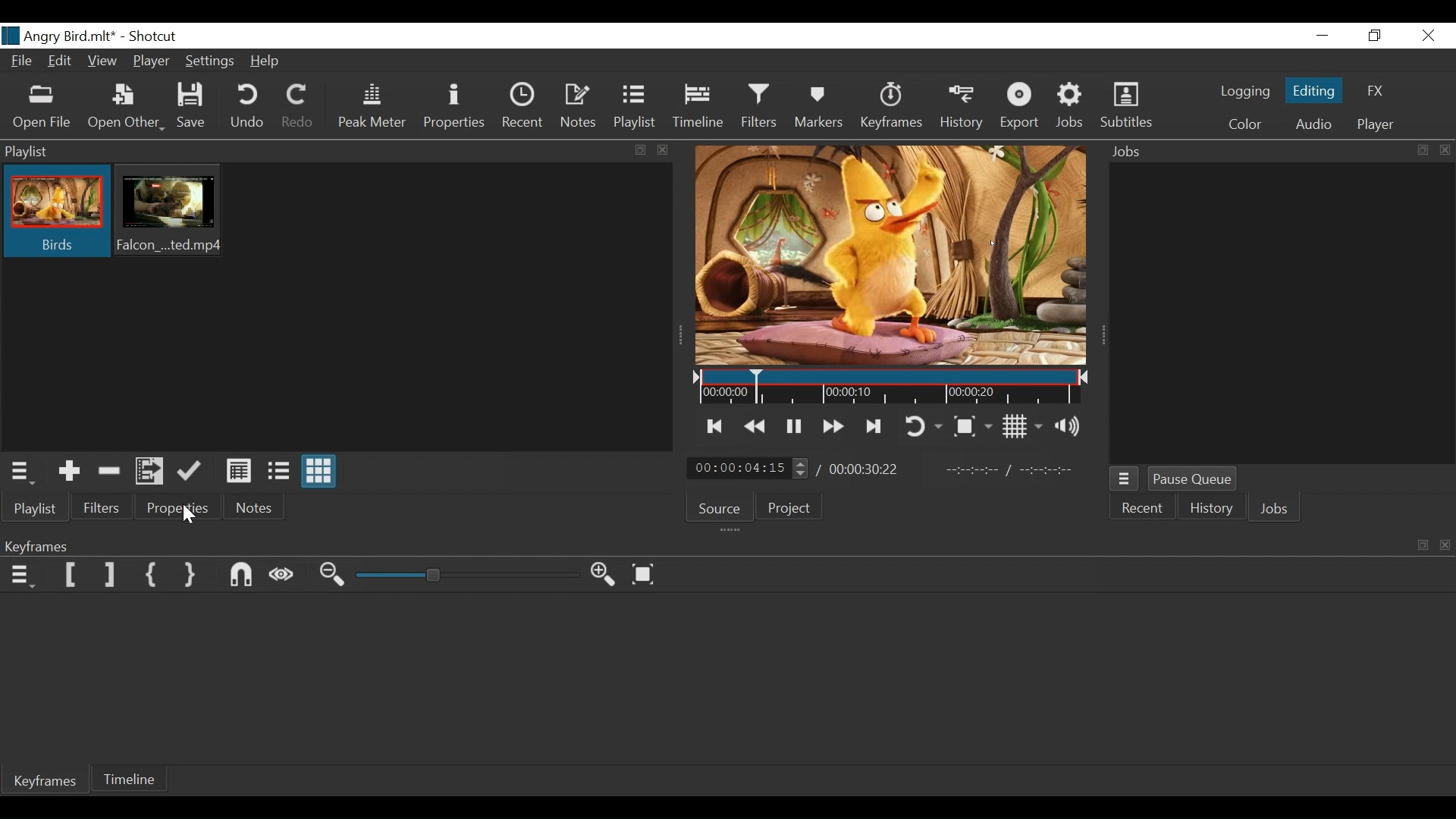  What do you see at coordinates (886, 388) in the screenshot?
I see `Timeline` at bounding box center [886, 388].